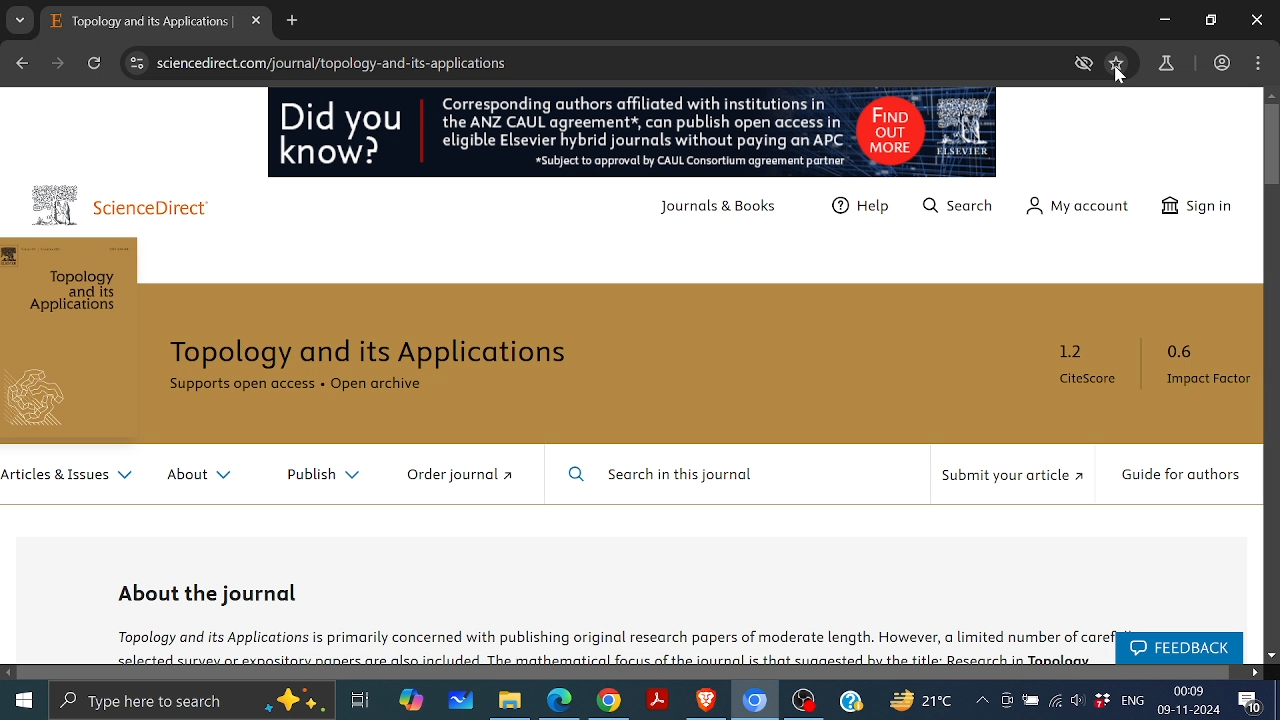  Describe the element at coordinates (609, 700) in the screenshot. I see `Google Chrome` at that location.